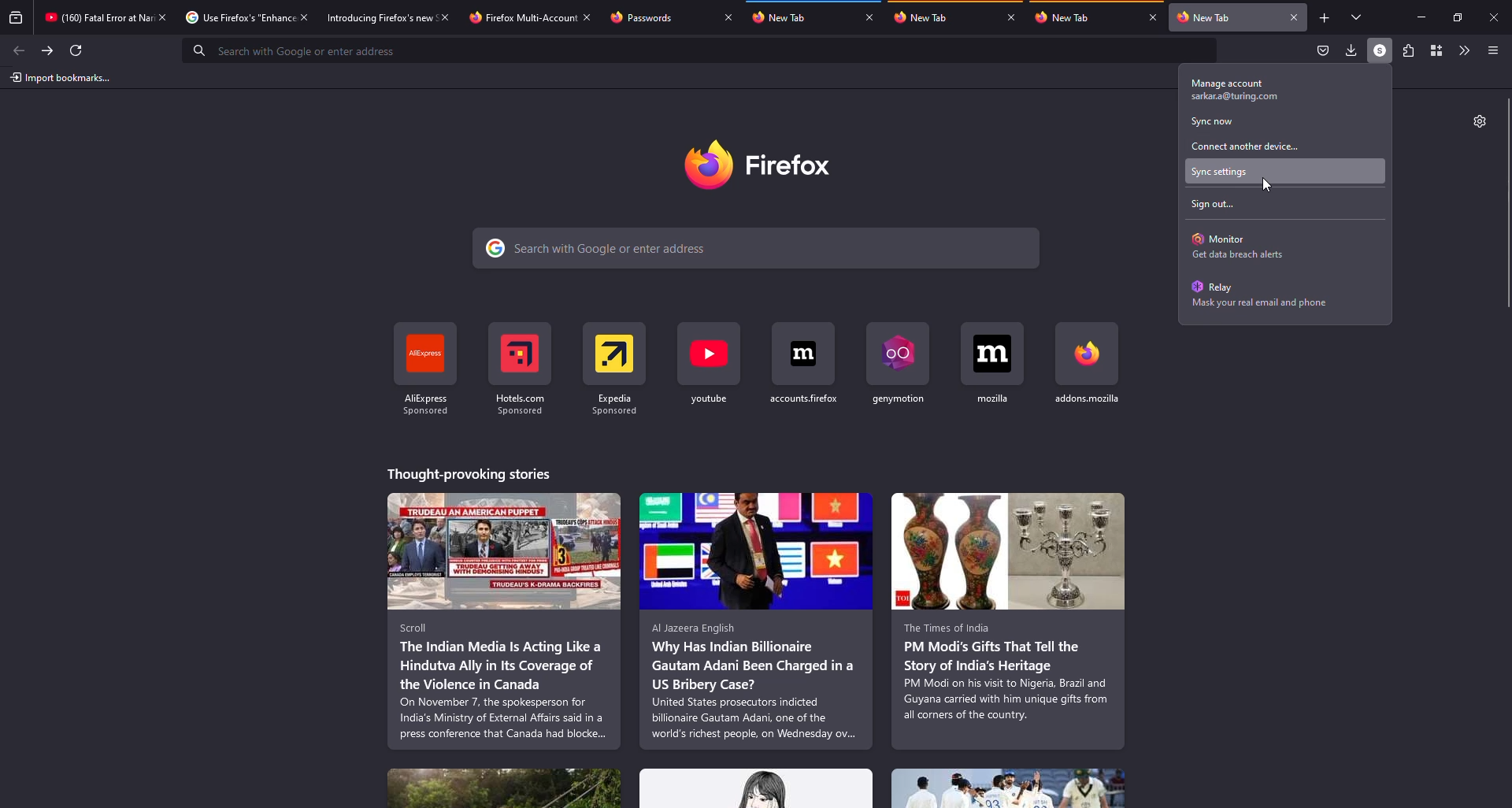 The height and width of the screenshot is (808, 1512). I want to click on shortcut, so click(425, 366).